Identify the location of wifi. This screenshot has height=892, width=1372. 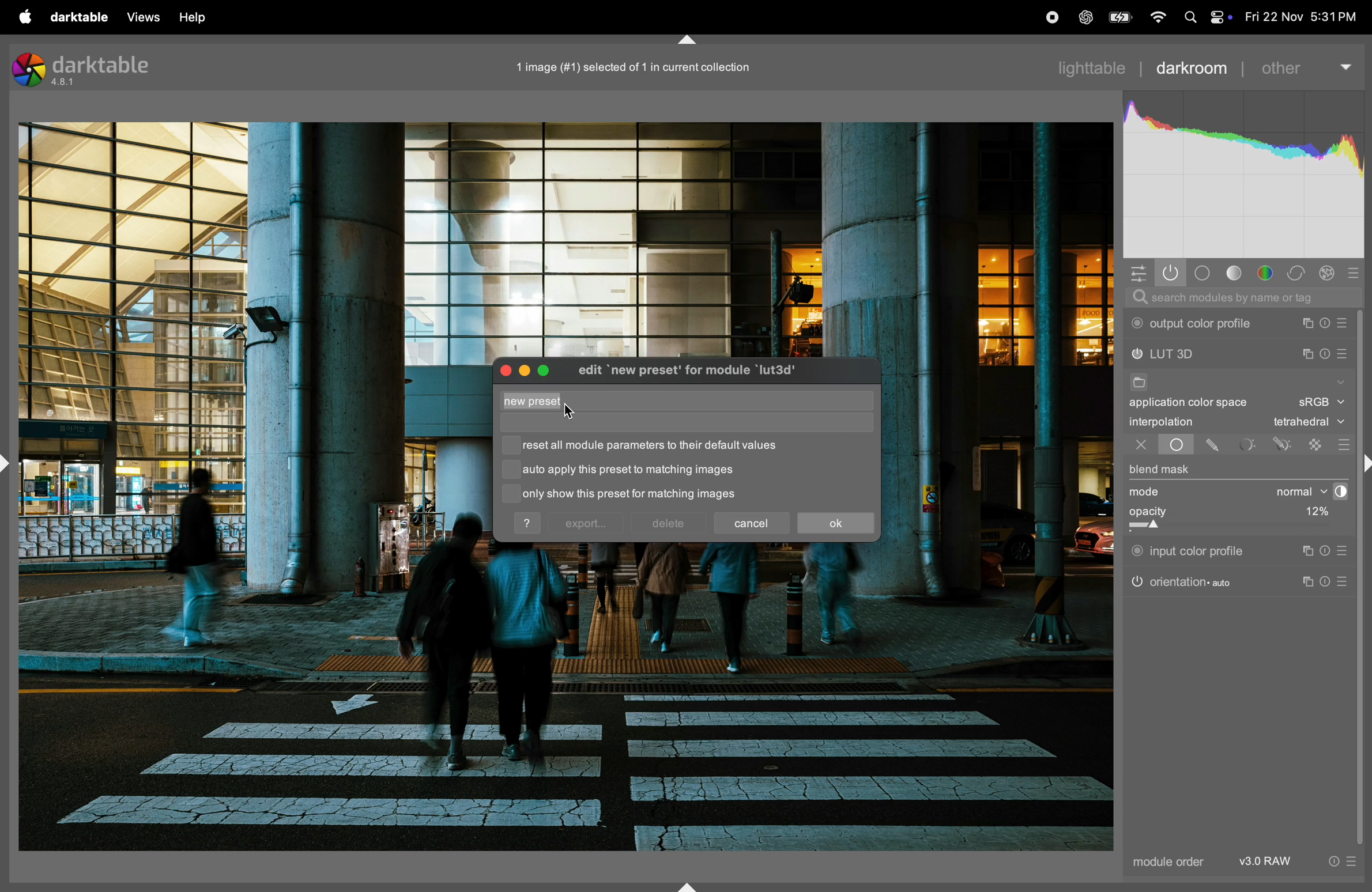
(1156, 18).